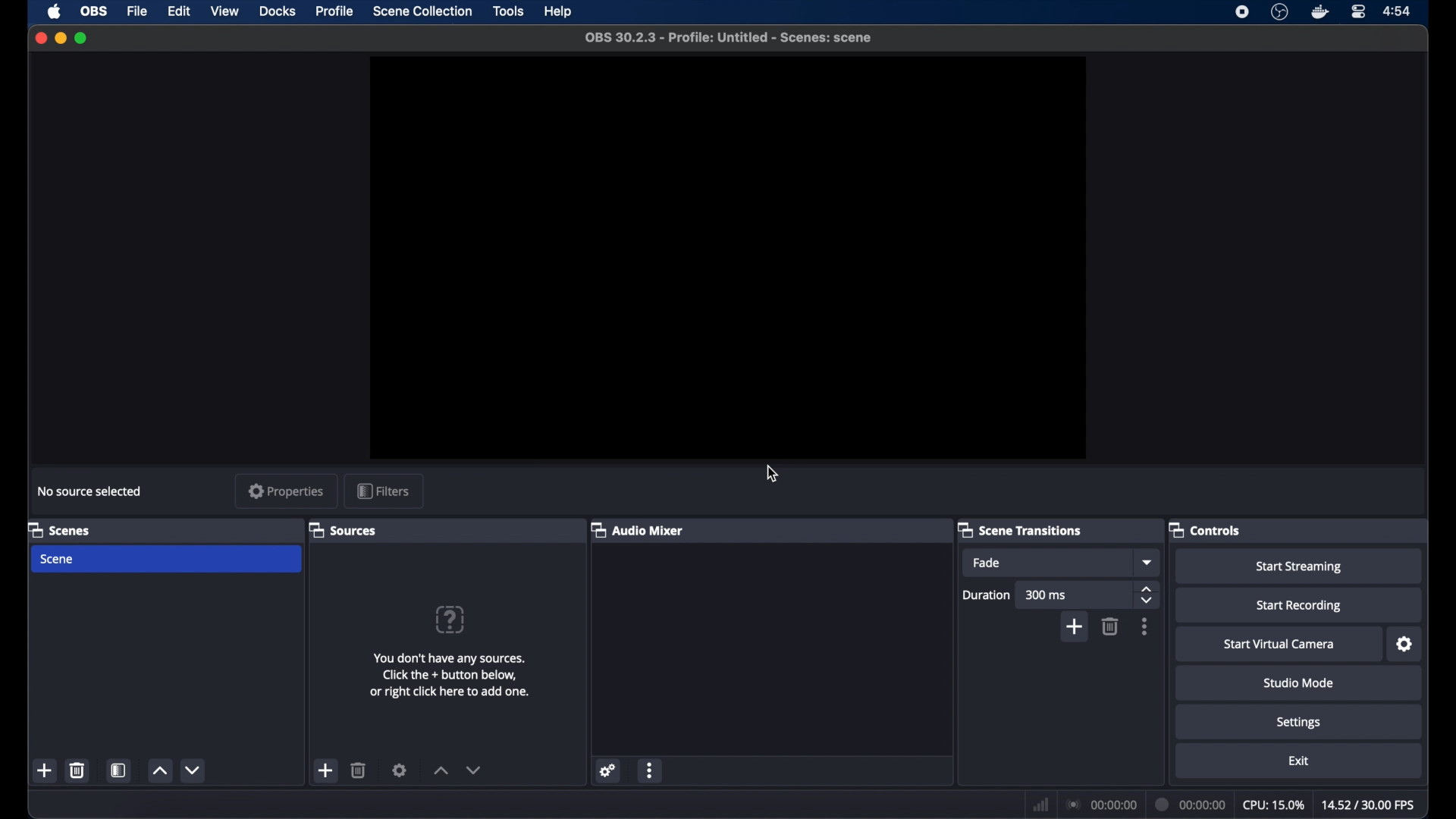 The height and width of the screenshot is (819, 1456). Describe the element at coordinates (607, 771) in the screenshot. I see `settings` at that location.